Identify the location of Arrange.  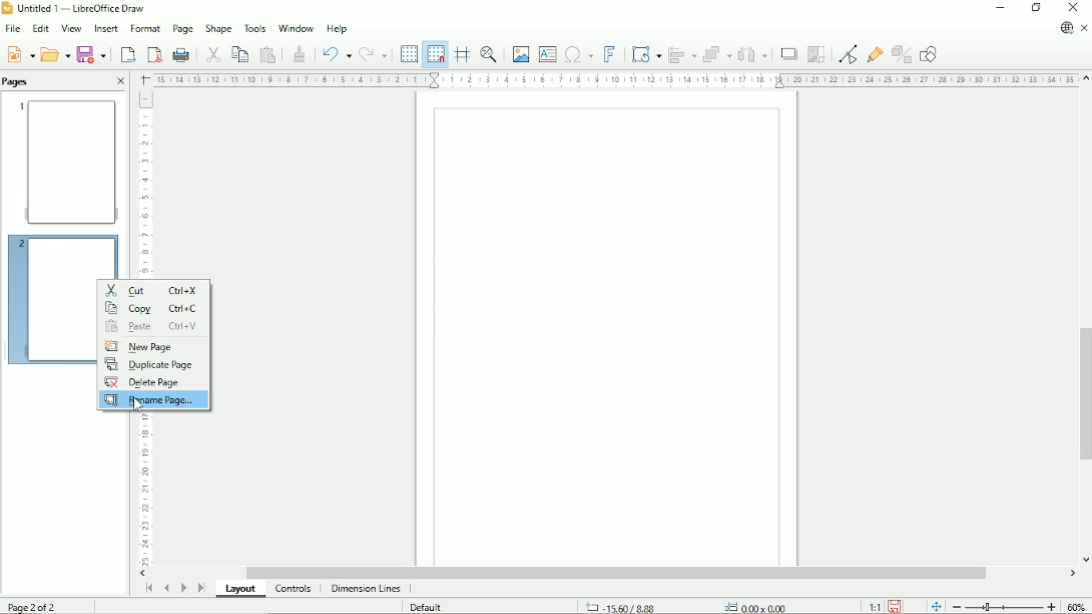
(717, 54).